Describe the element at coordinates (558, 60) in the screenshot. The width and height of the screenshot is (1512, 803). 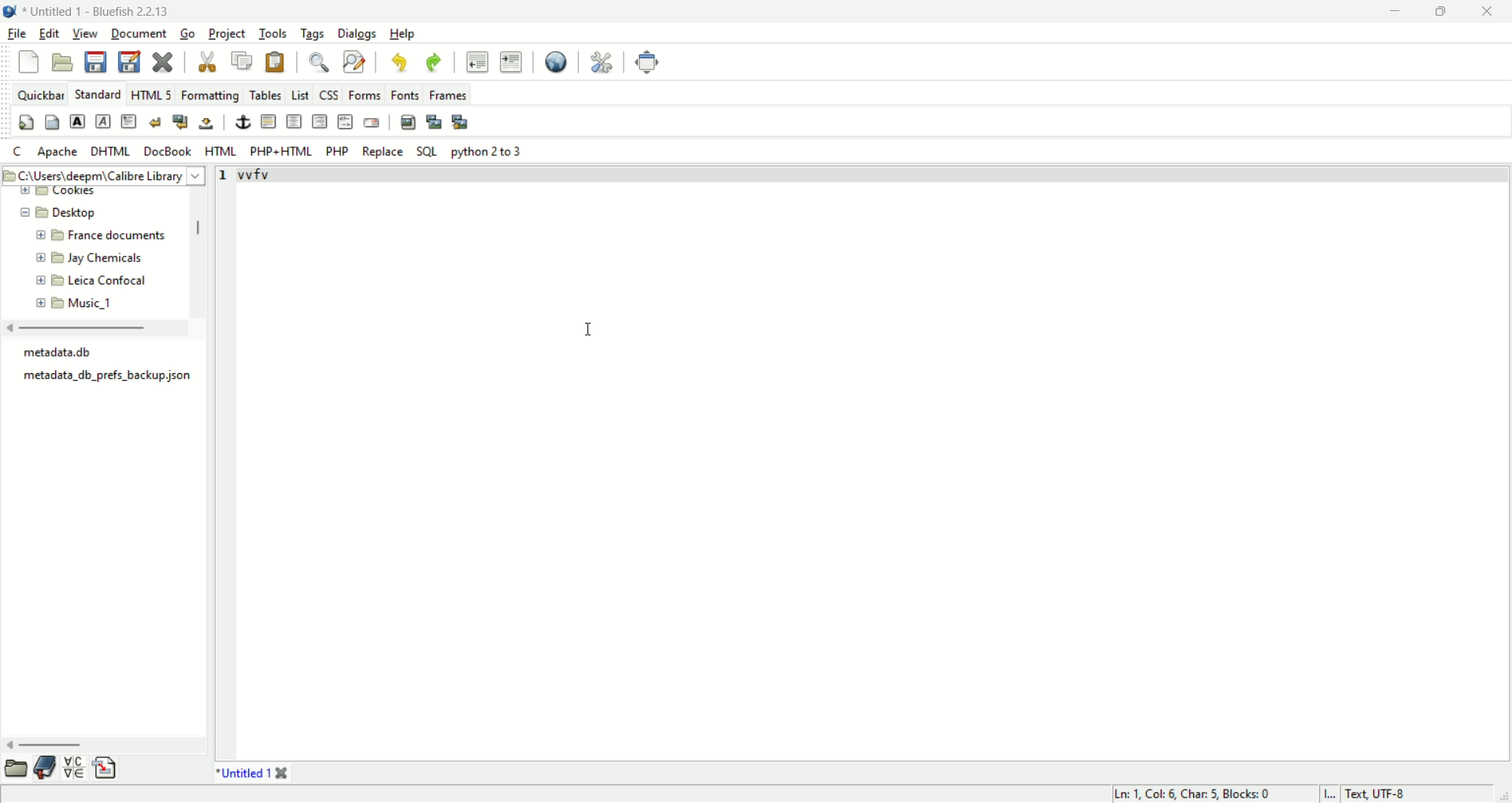
I see `preview in browser` at that location.